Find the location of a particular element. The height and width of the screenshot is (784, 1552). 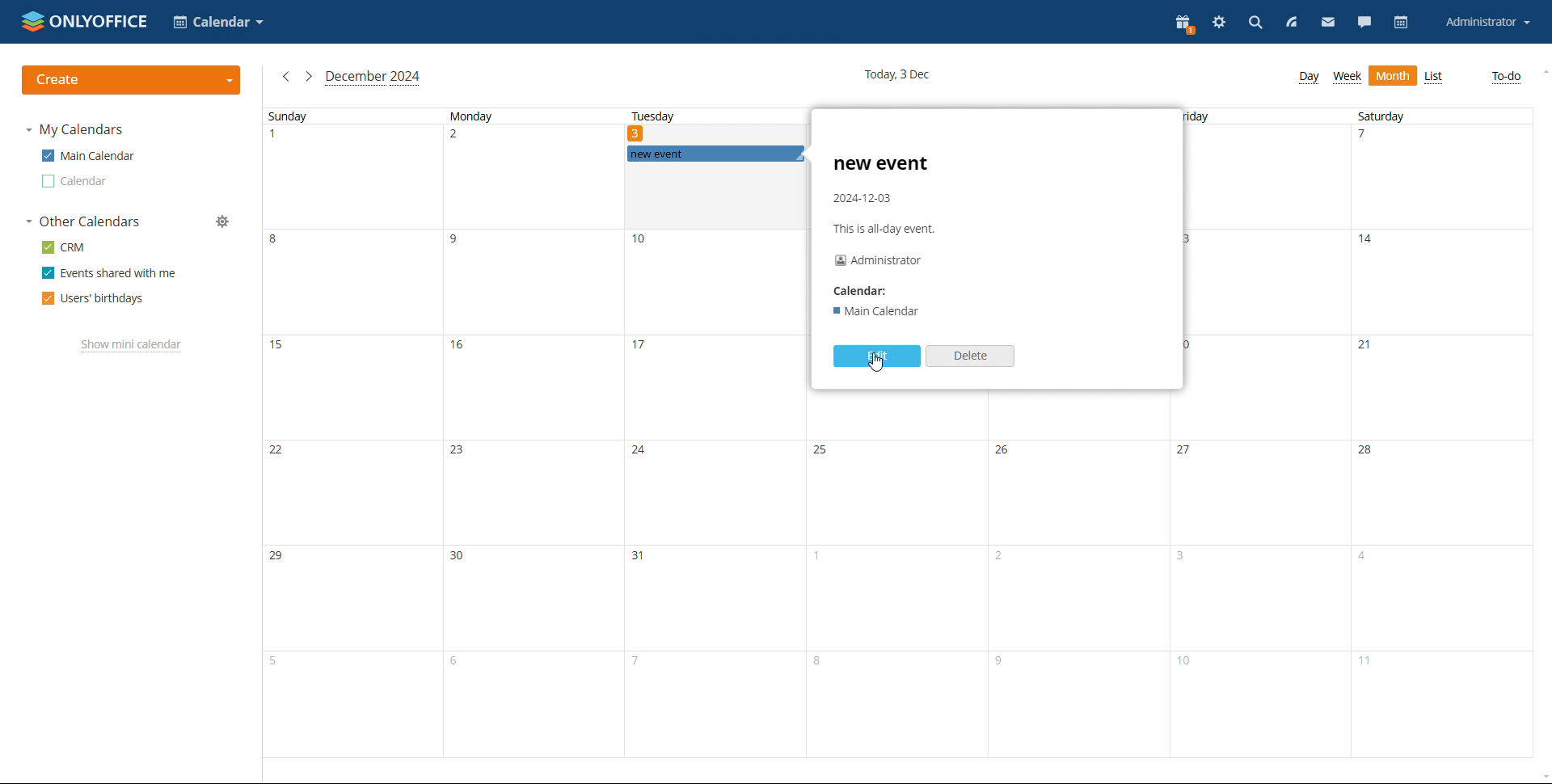

chat is located at coordinates (1365, 23).